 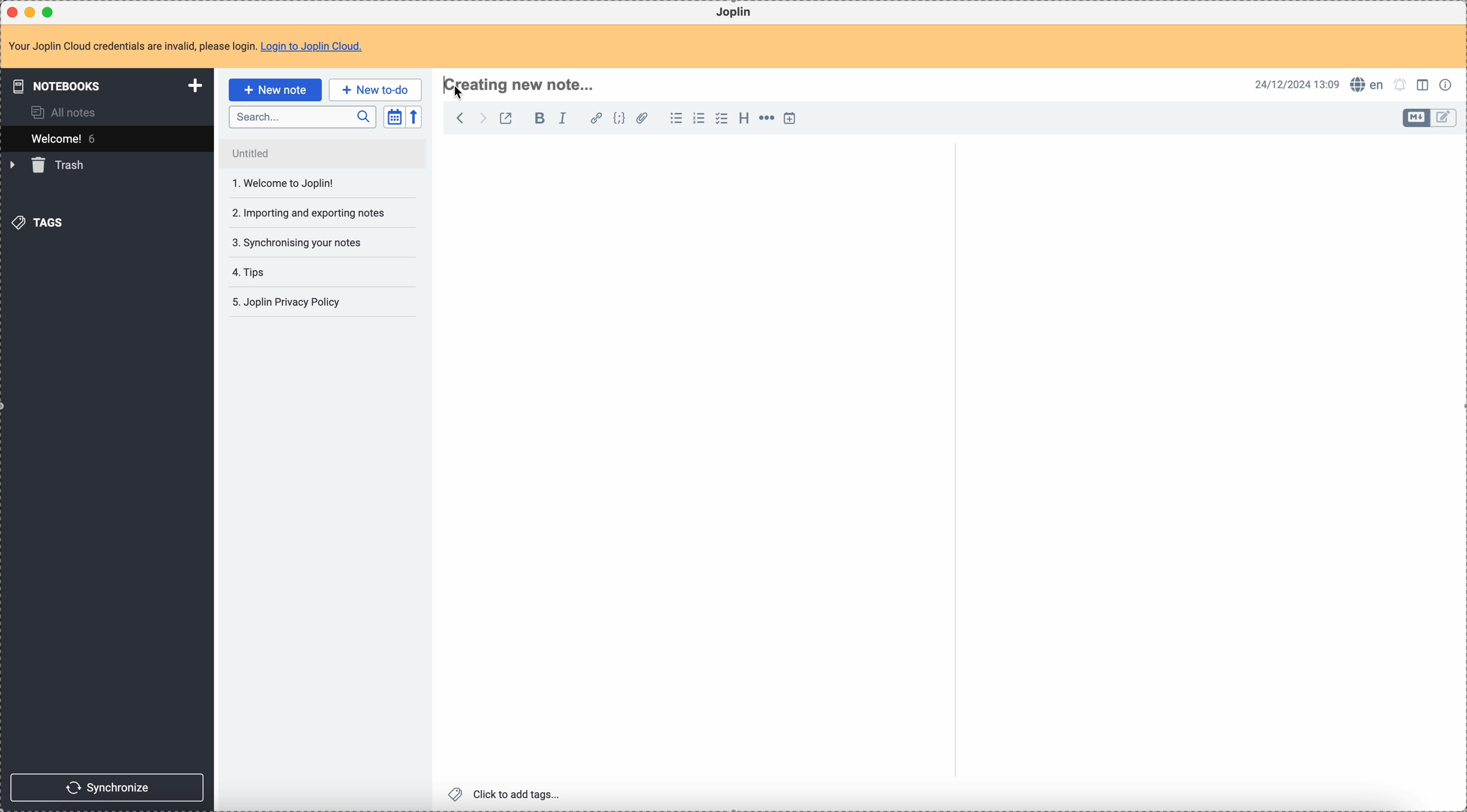 What do you see at coordinates (251, 273) in the screenshot?
I see `tips` at bounding box center [251, 273].